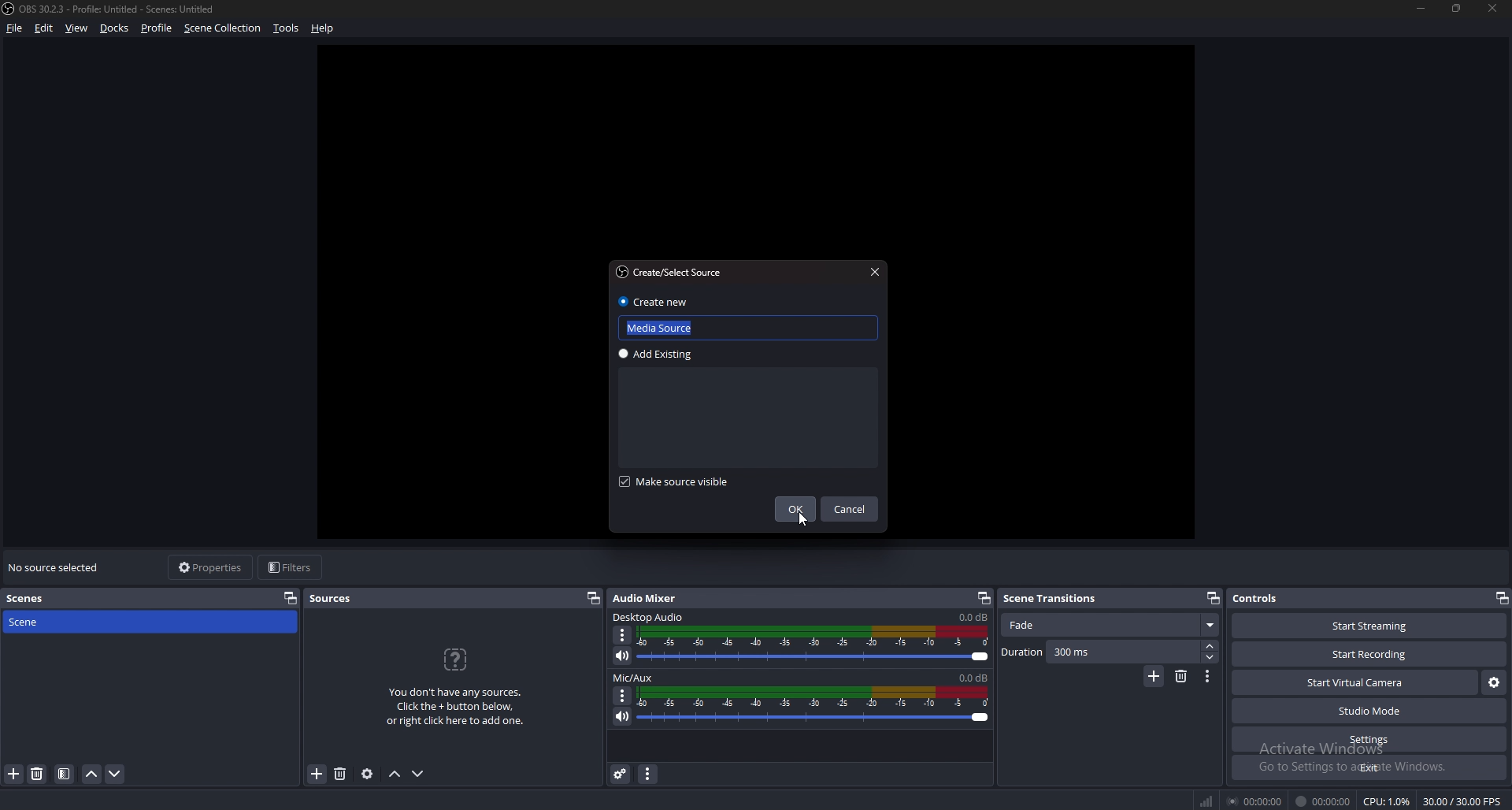  I want to click on Add existing, so click(660, 355).